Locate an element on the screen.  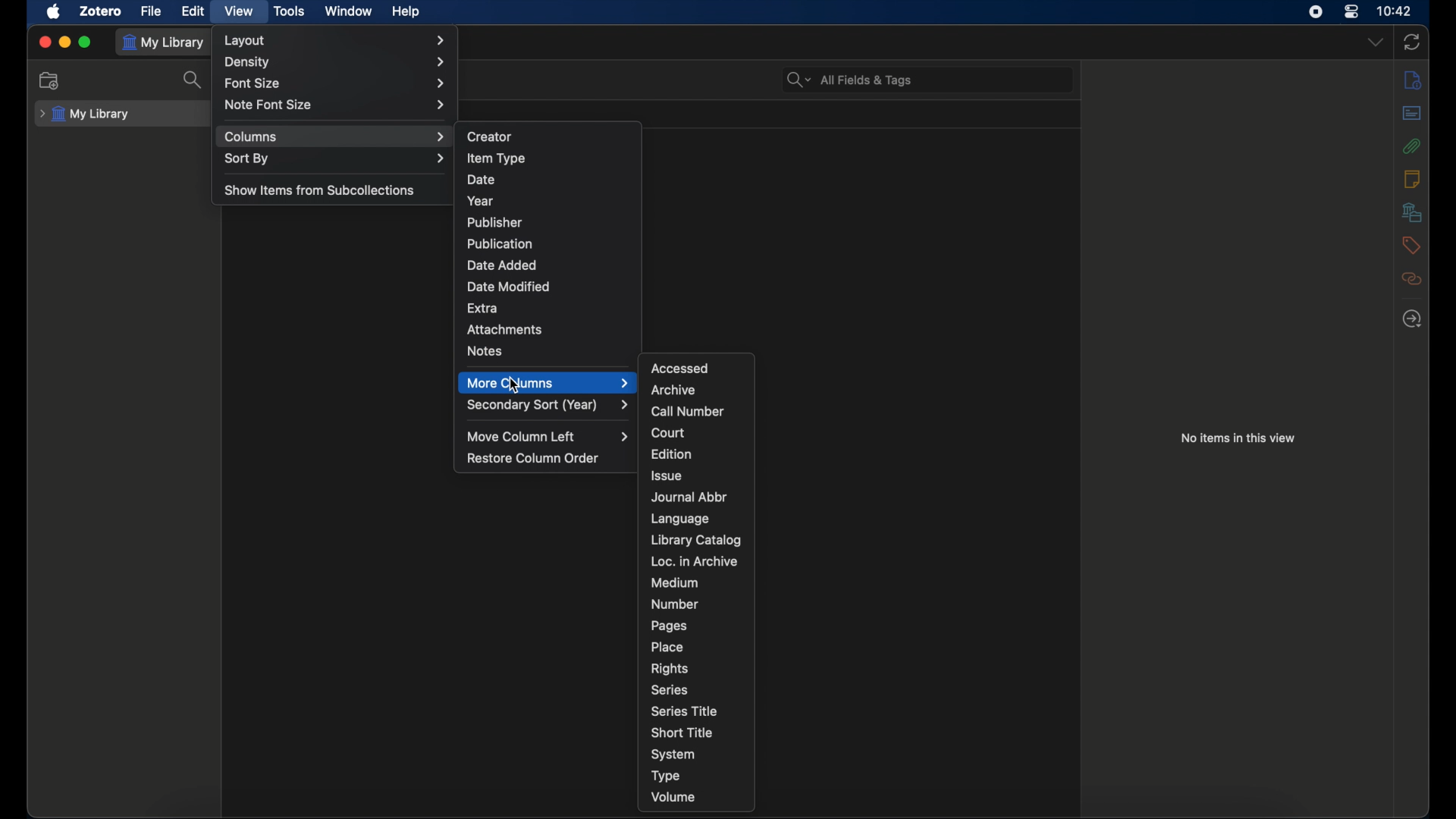
font size is located at coordinates (336, 84).